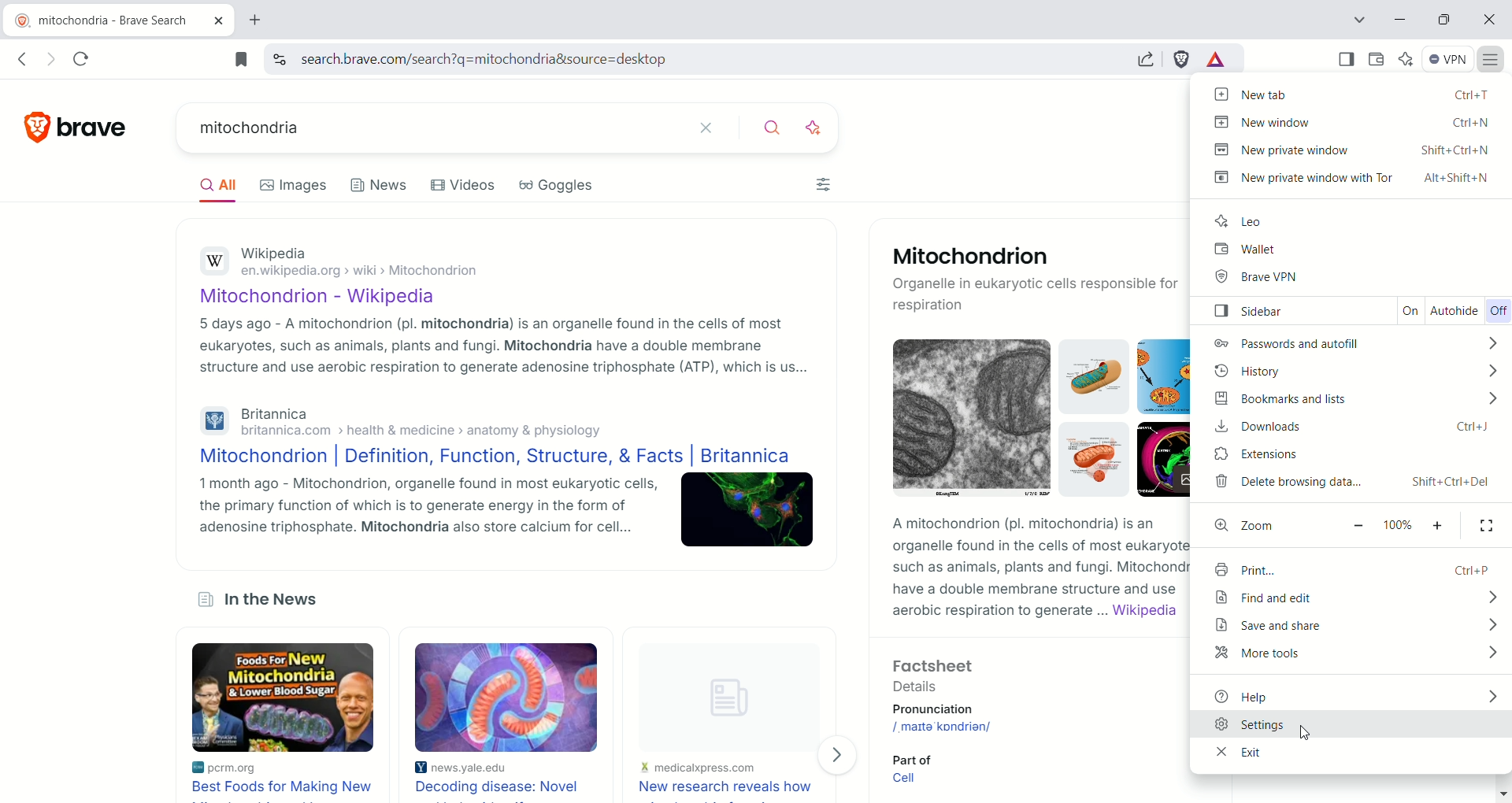 Image resolution: width=1512 pixels, height=803 pixels. What do you see at coordinates (1358, 657) in the screenshot?
I see `more tools` at bounding box center [1358, 657].